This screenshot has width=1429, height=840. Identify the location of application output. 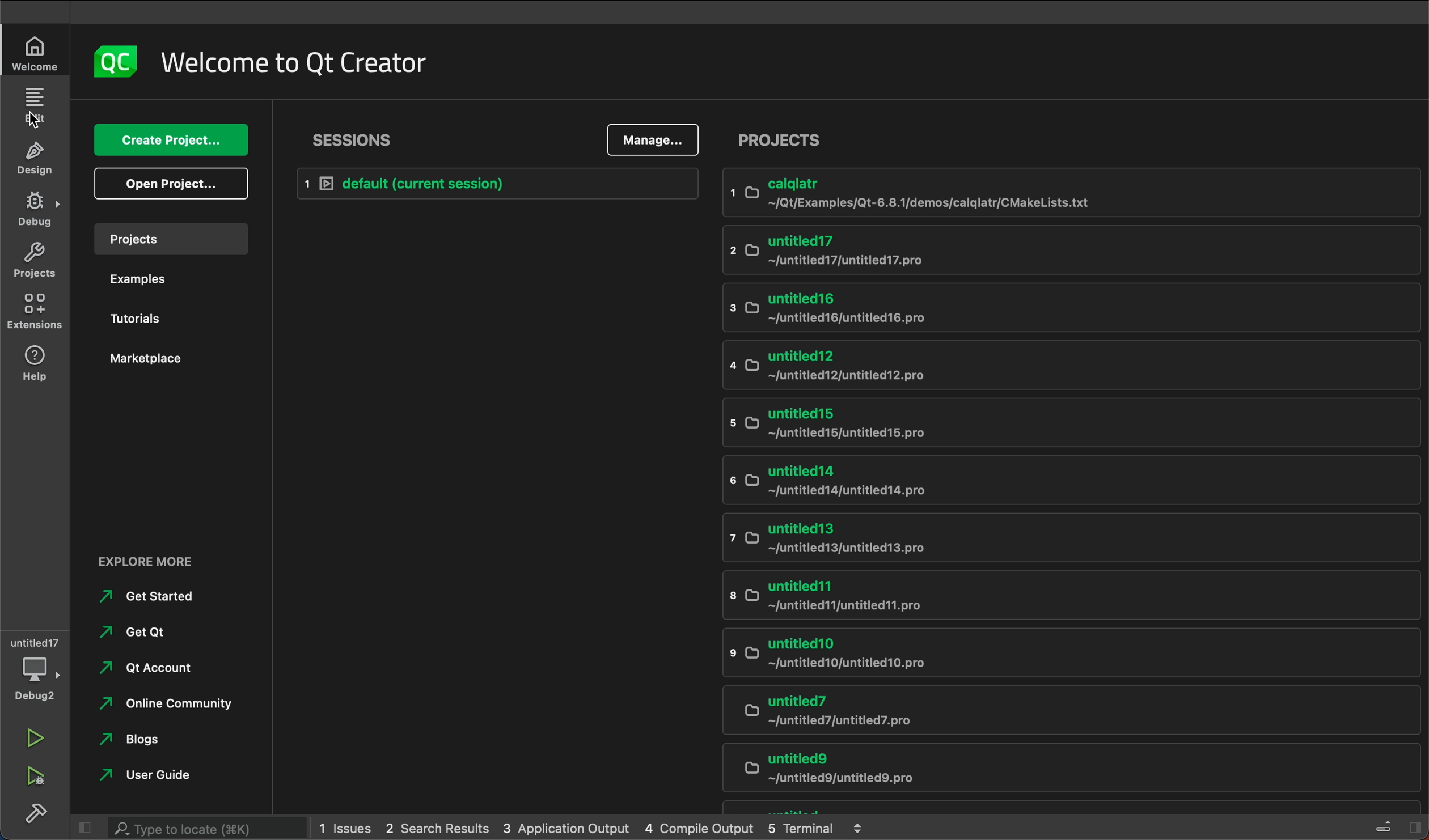
(566, 826).